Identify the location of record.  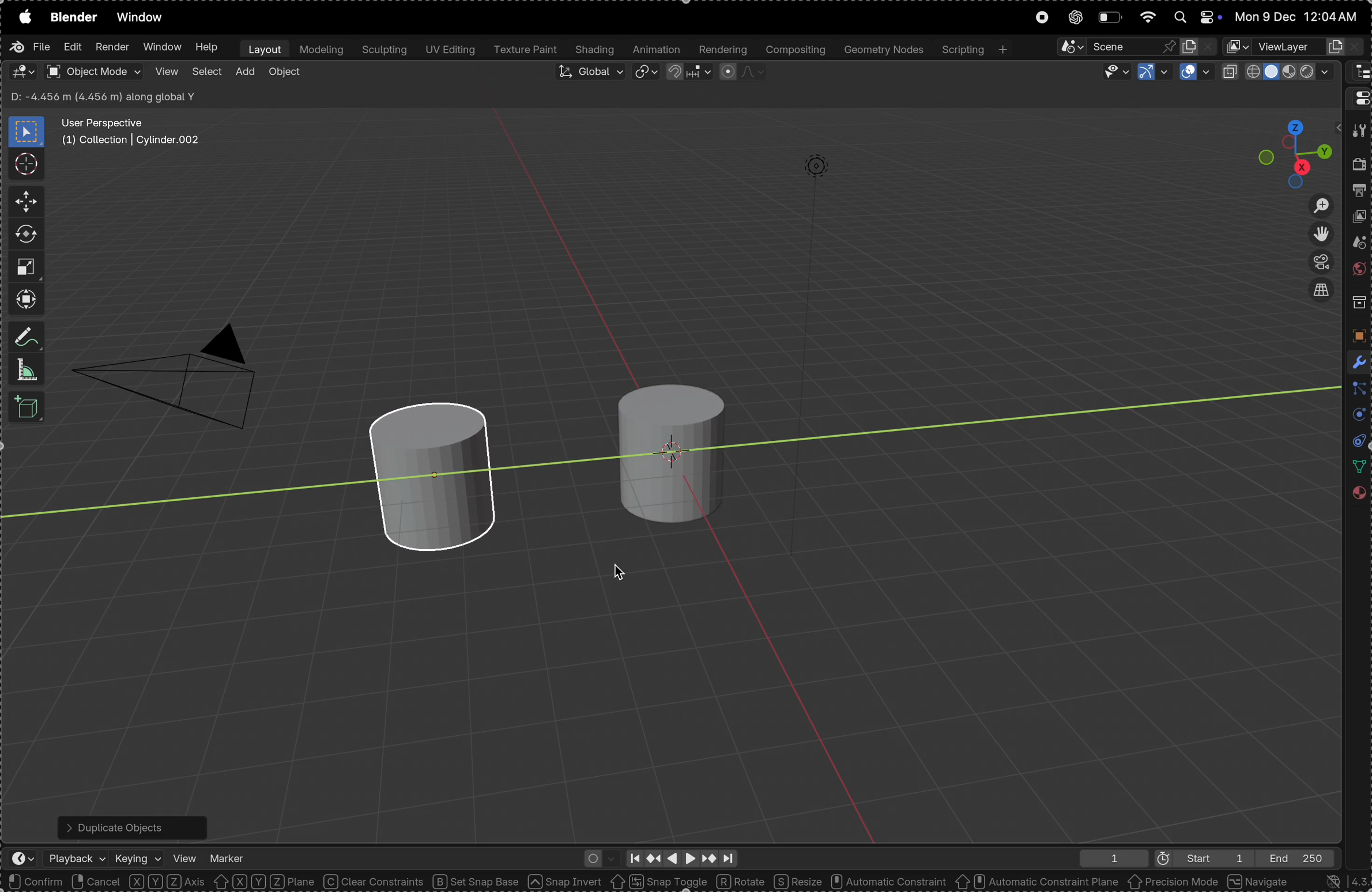
(1041, 18).